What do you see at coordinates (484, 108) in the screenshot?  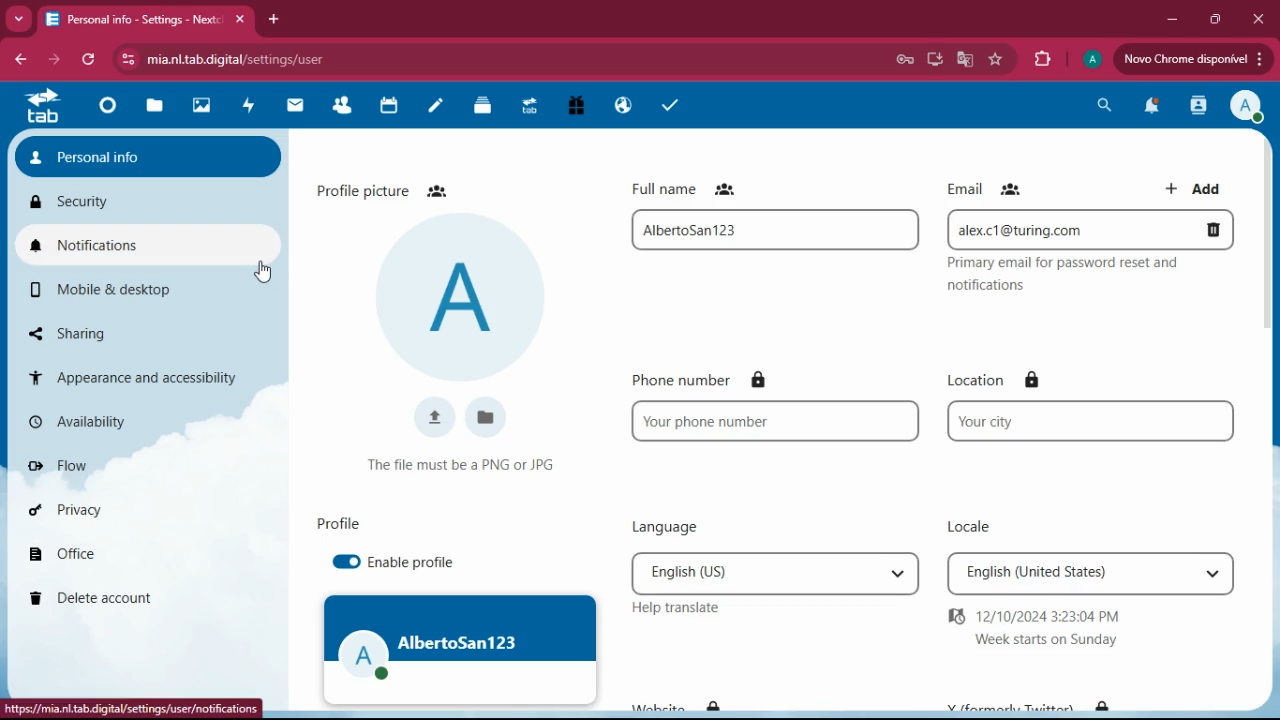 I see `files` at bounding box center [484, 108].